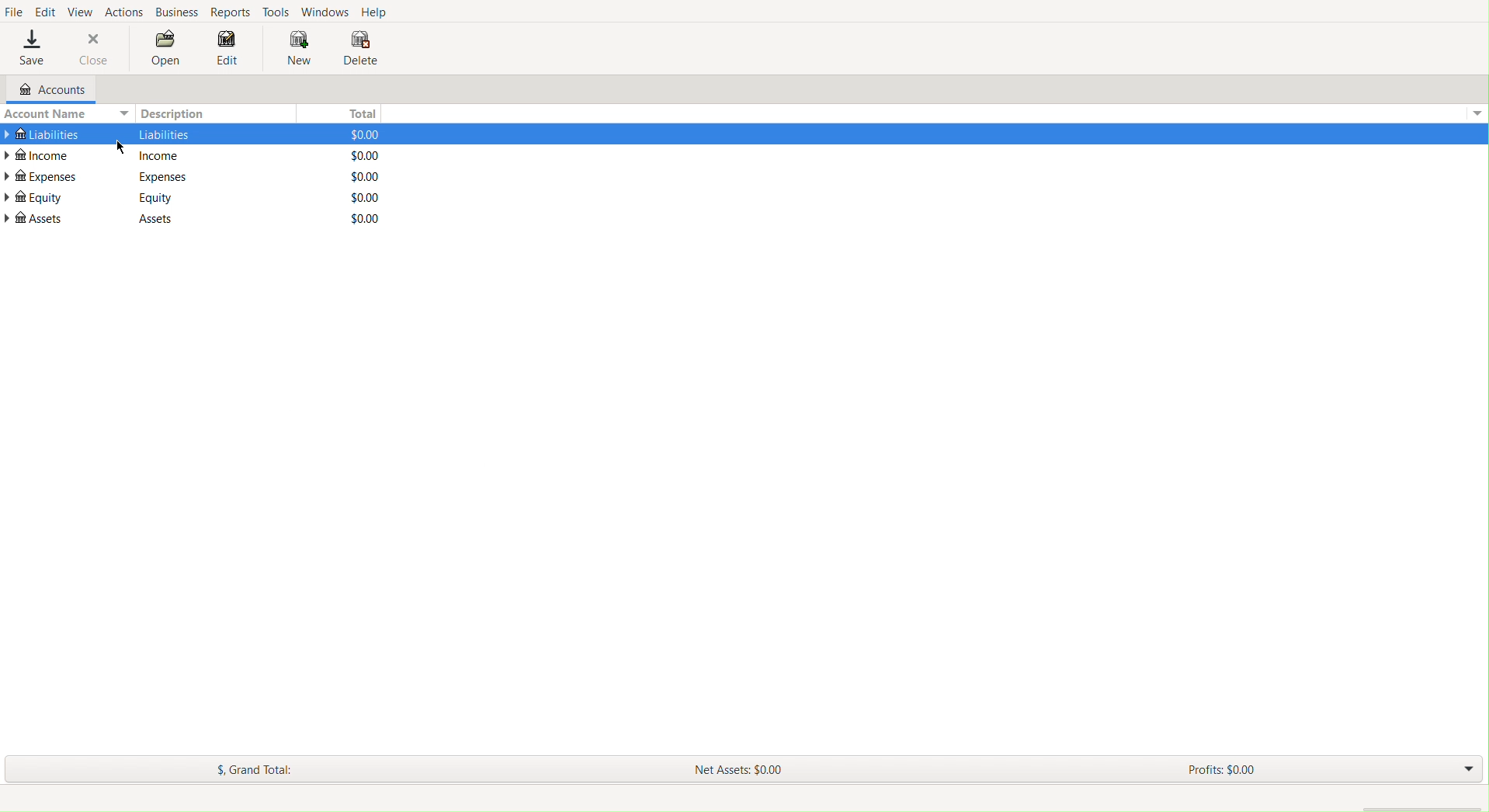 Image resolution: width=1489 pixels, height=812 pixels. What do you see at coordinates (233, 12) in the screenshot?
I see `Reports` at bounding box center [233, 12].